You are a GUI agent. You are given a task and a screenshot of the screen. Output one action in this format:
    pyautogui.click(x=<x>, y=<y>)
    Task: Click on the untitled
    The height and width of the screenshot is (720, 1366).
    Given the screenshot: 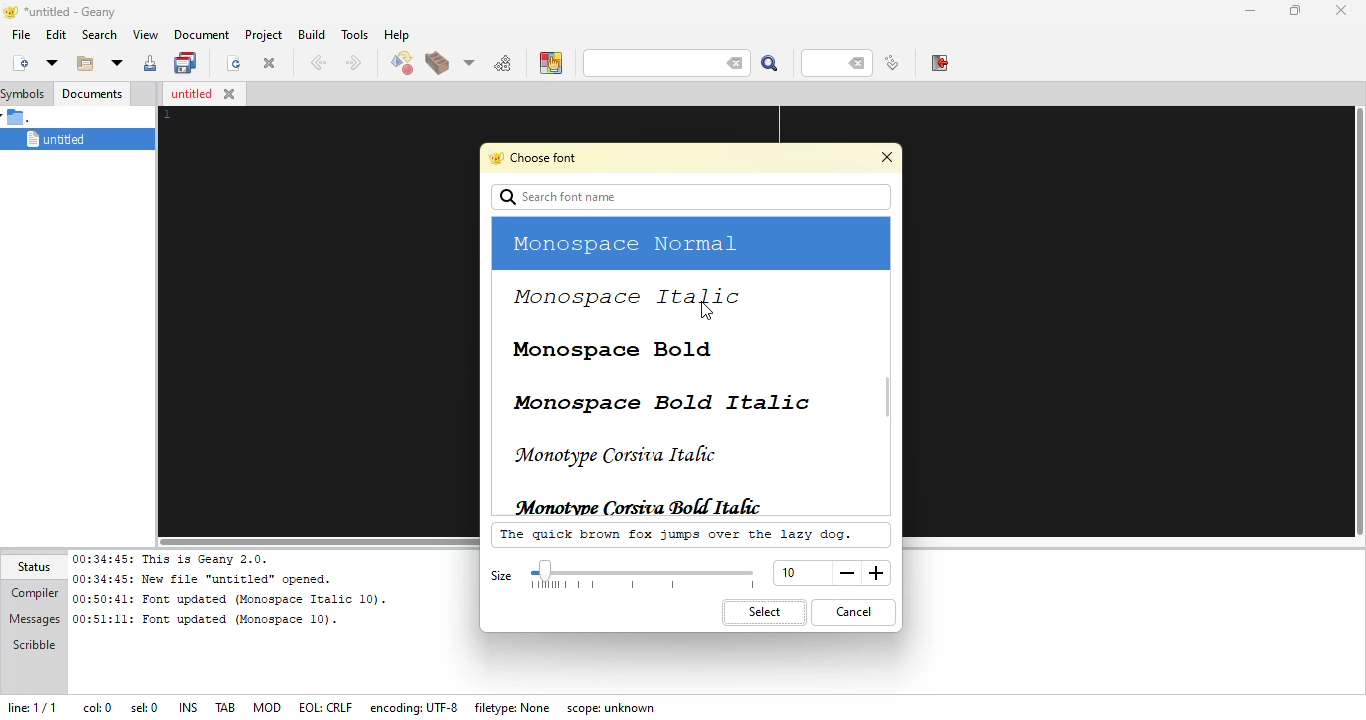 What is the action you would take?
    pyautogui.click(x=73, y=140)
    